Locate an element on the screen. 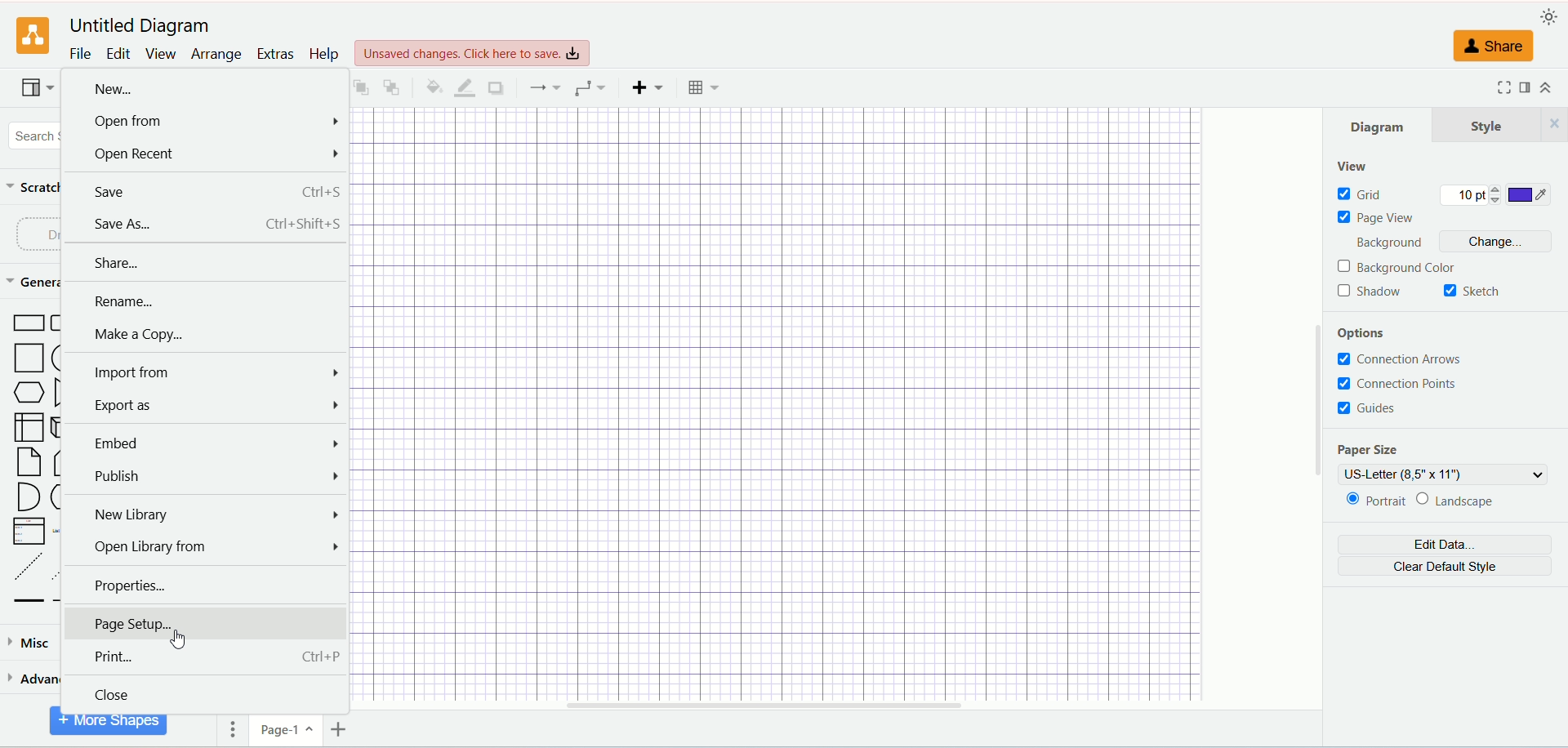 The image size is (1568, 748). general is located at coordinates (33, 284).